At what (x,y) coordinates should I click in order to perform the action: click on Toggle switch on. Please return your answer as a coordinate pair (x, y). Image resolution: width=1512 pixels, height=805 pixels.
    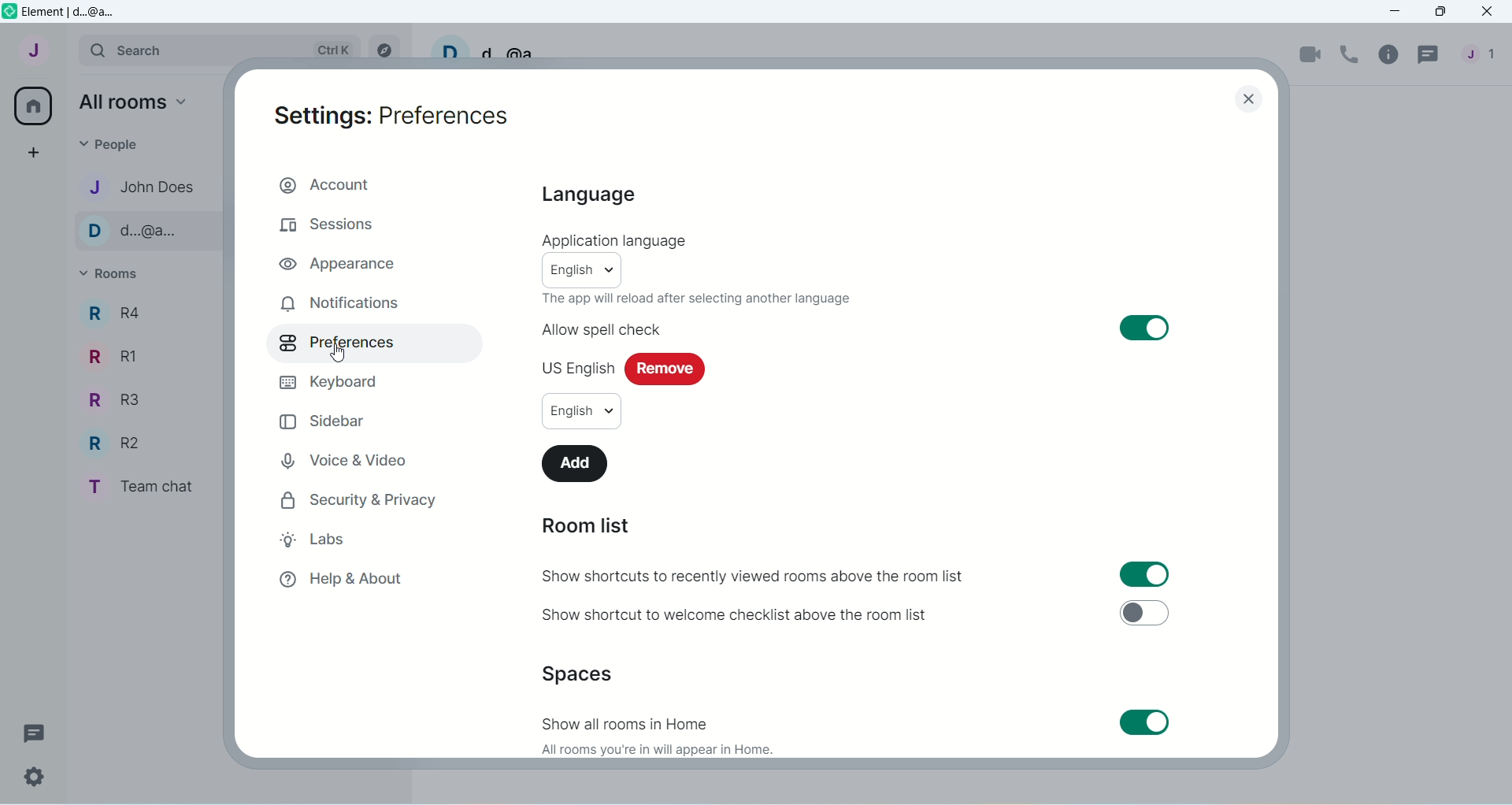
    Looking at the image, I should click on (1154, 573).